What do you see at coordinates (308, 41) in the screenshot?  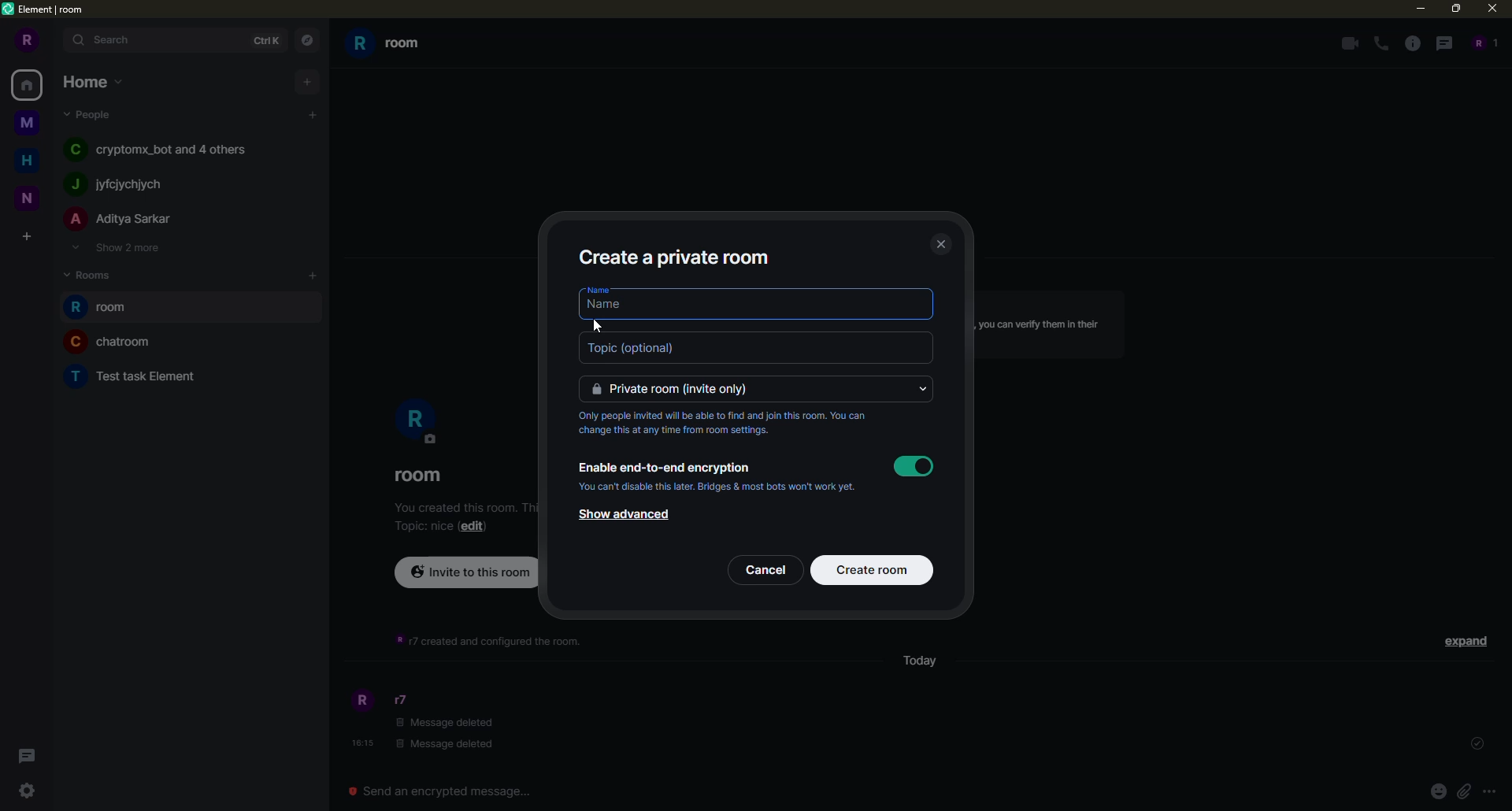 I see `navigator` at bounding box center [308, 41].